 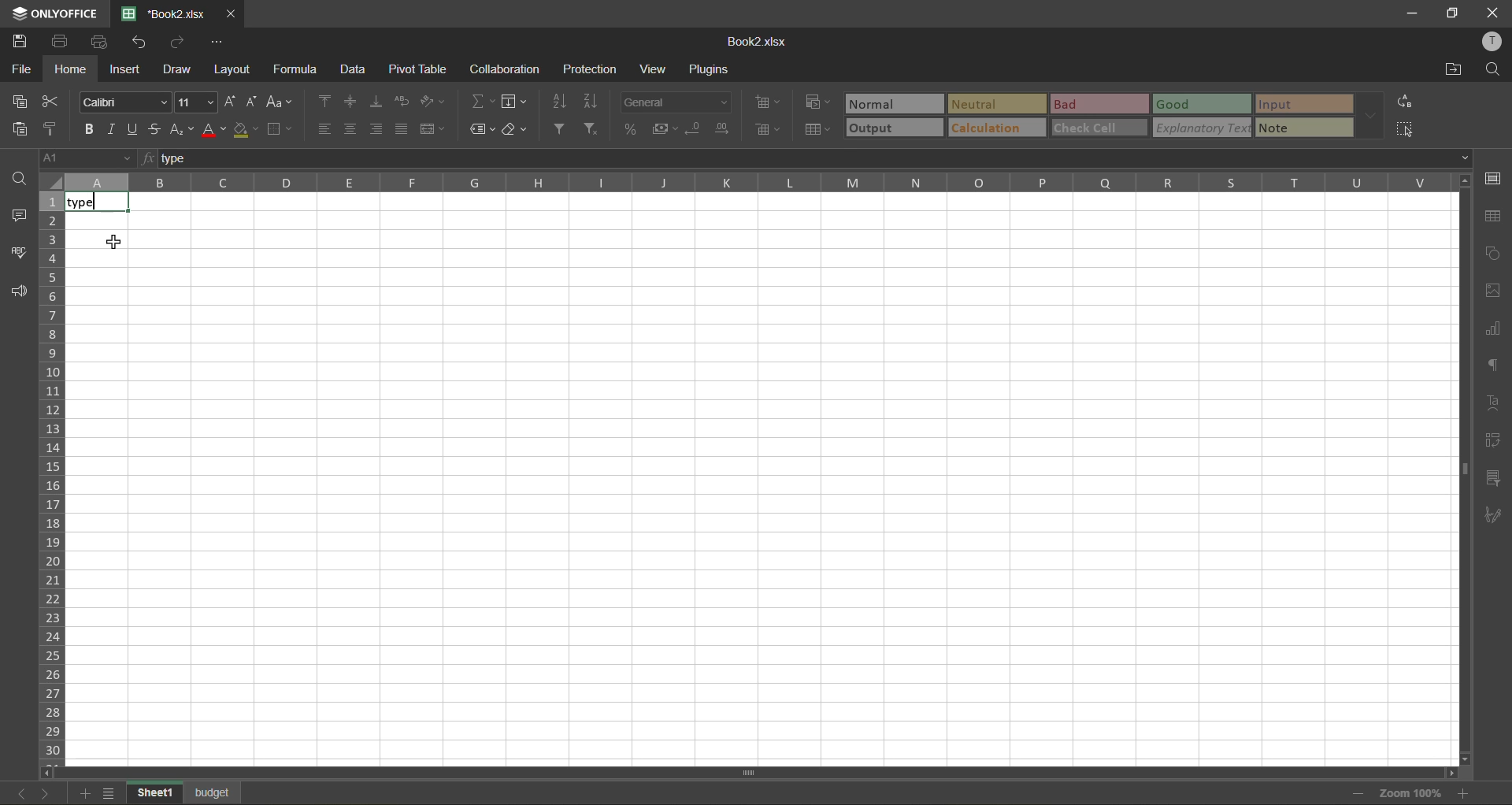 What do you see at coordinates (86, 129) in the screenshot?
I see `bold` at bounding box center [86, 129].